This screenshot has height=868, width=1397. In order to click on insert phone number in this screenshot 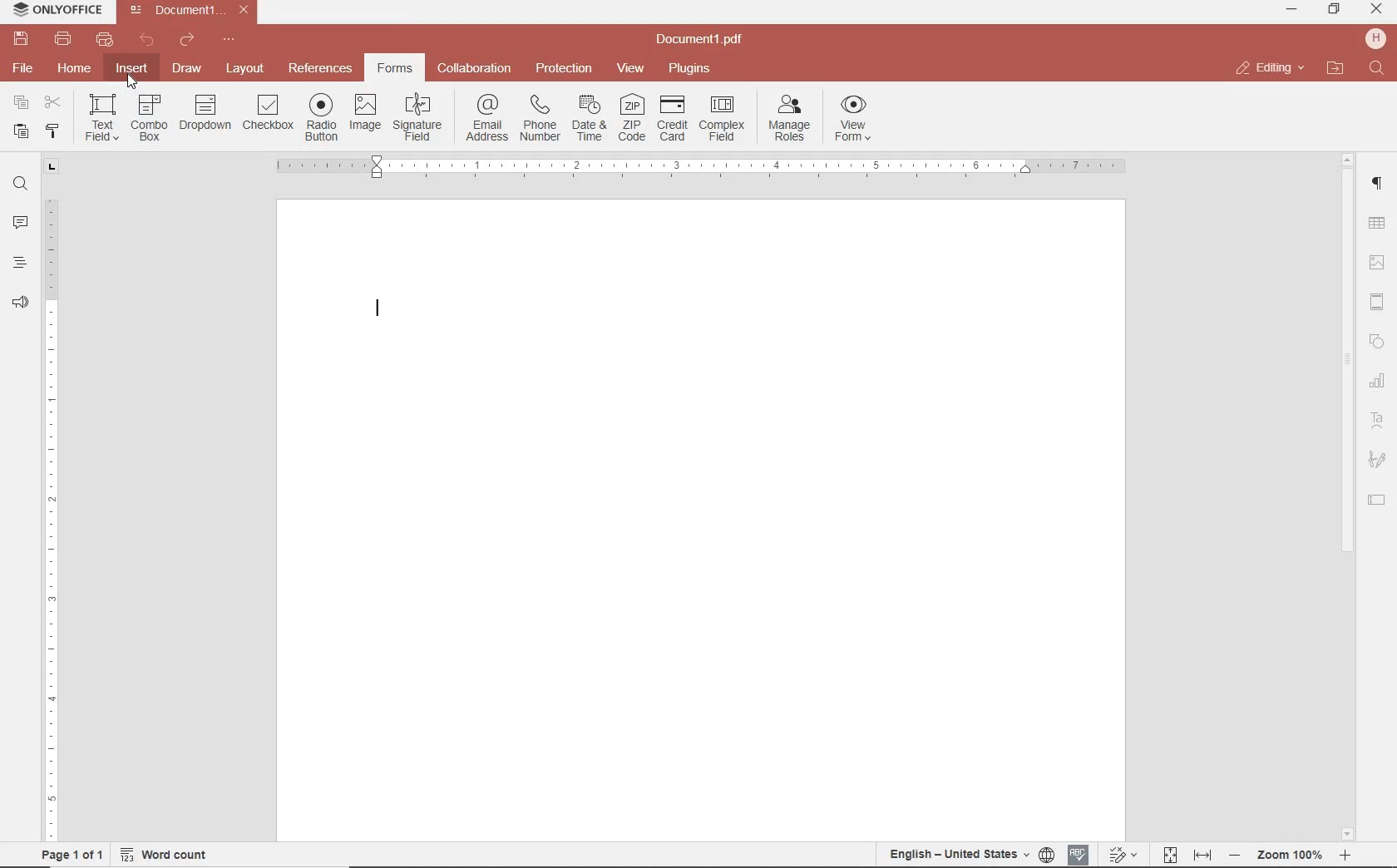, I will do `click(537, 119)`.